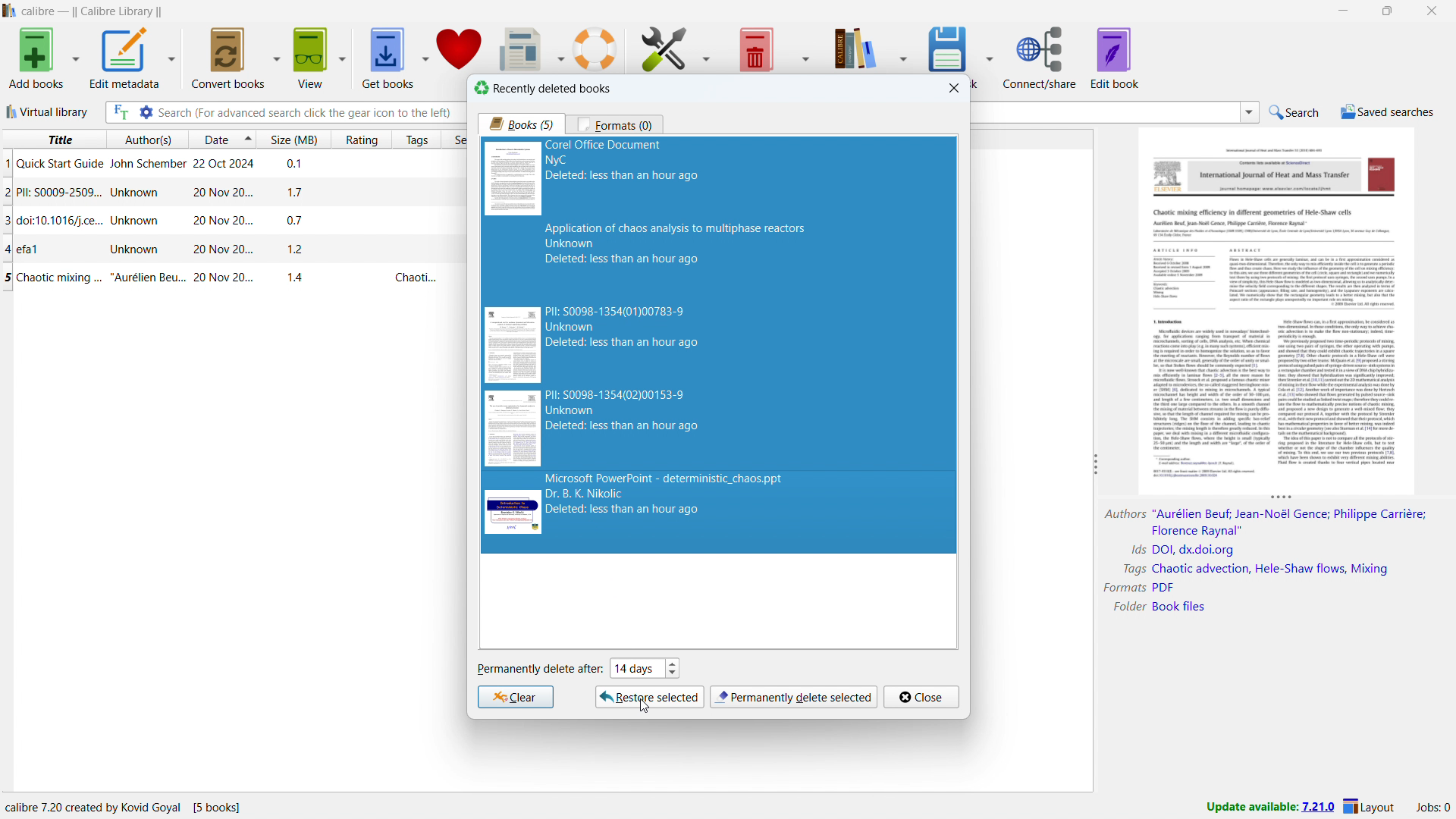 The image size is (1456, 819). What do you see at coordinates (949, 47) in the screenshot?
I see `save to disk` at bounding box center [949, 47].